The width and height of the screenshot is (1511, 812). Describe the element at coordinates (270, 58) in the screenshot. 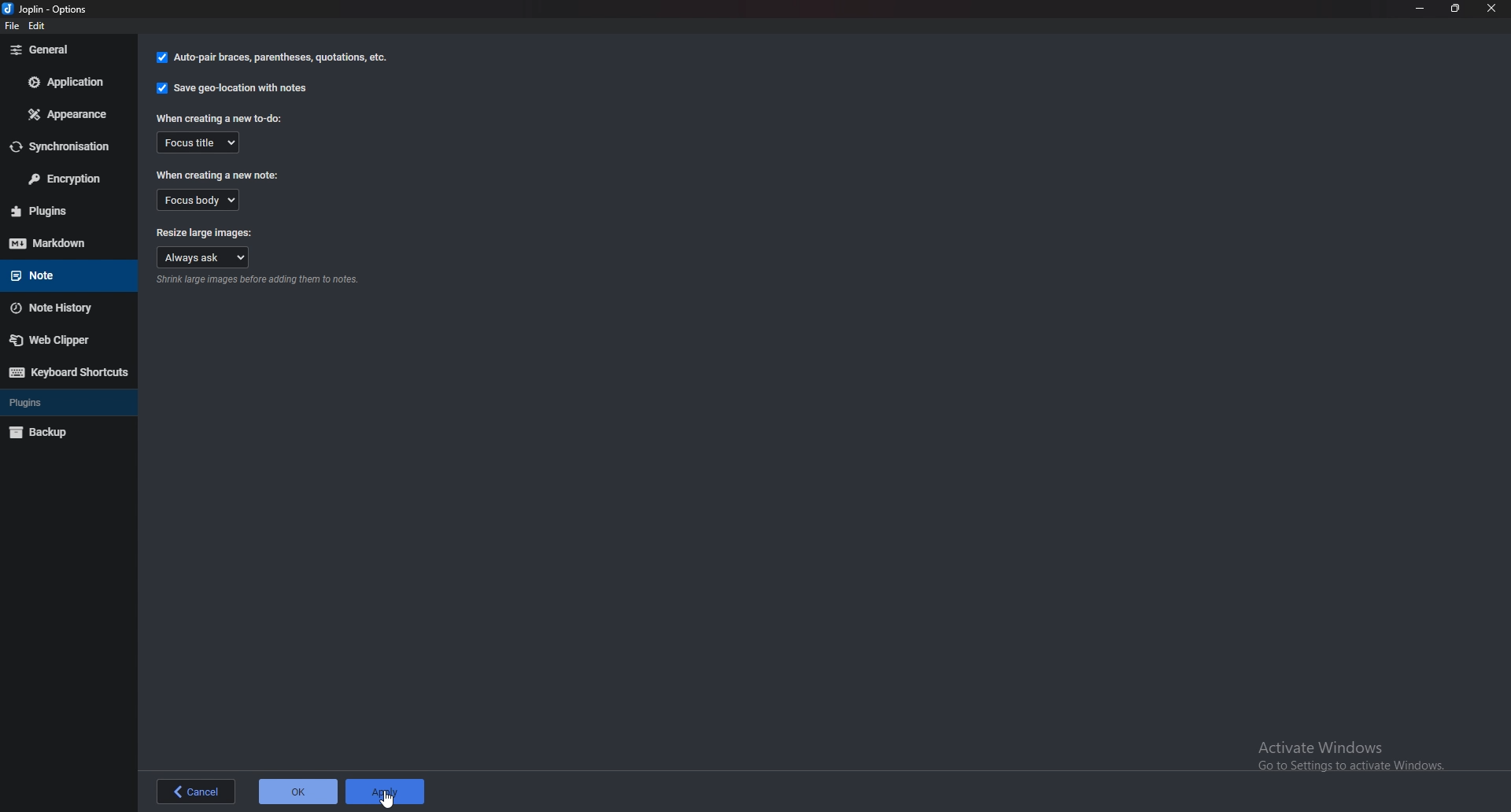

I see `auto pair braces, panthesis, quotation, etc.` at that location.